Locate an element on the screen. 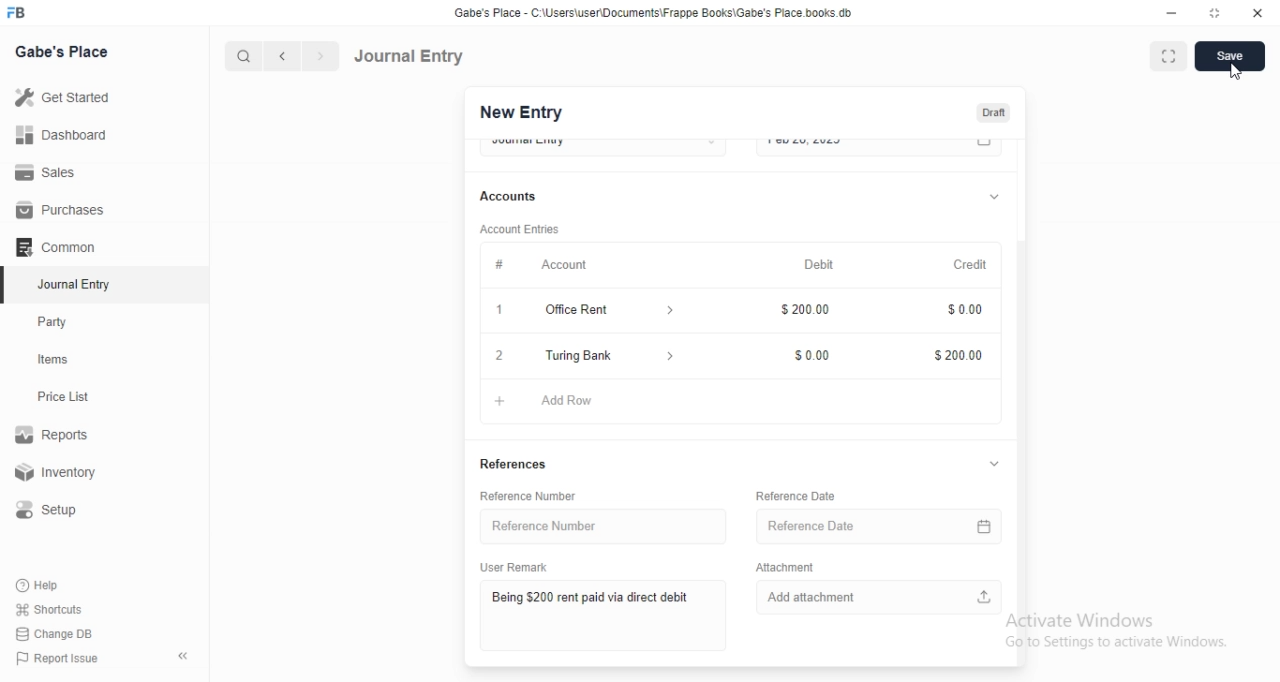 Image resolution: width=1280 pixels, height=682 pixels. Draft is located at coordinates (993, 113).